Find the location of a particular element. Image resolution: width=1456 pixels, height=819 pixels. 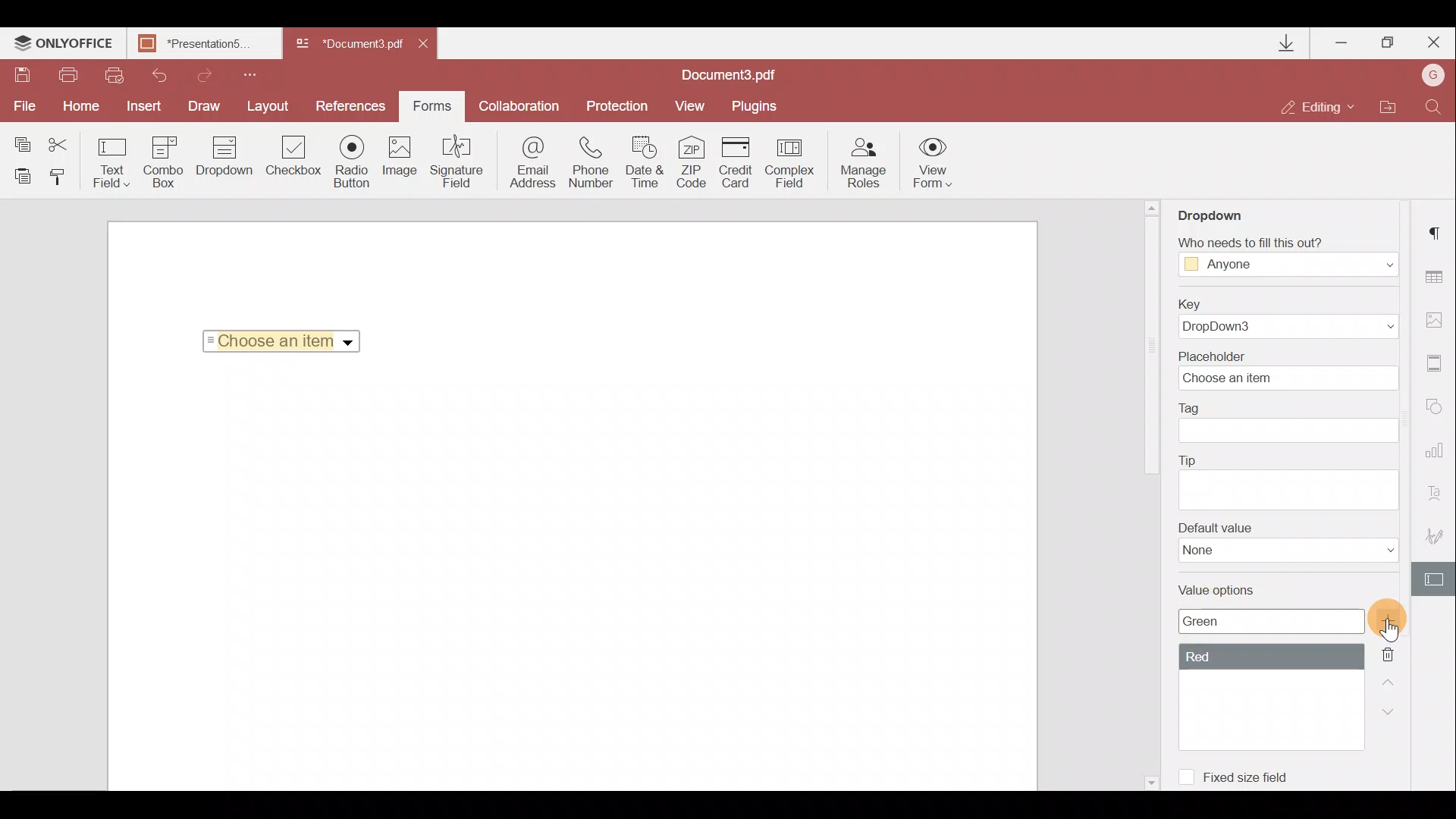

Cursor is located at coordinates (1391, 626).